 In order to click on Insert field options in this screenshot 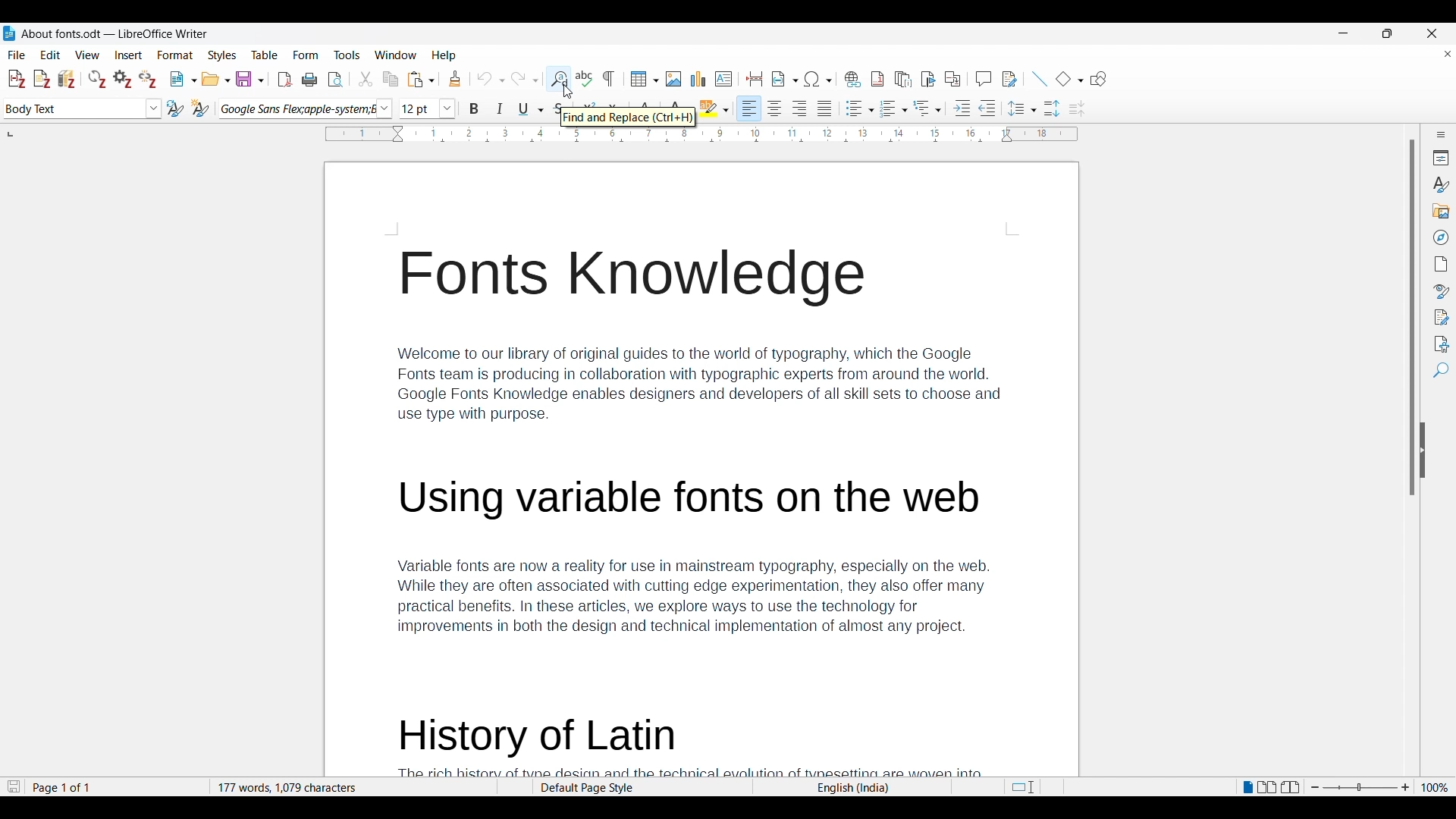, I will do `click(785, 79)`.